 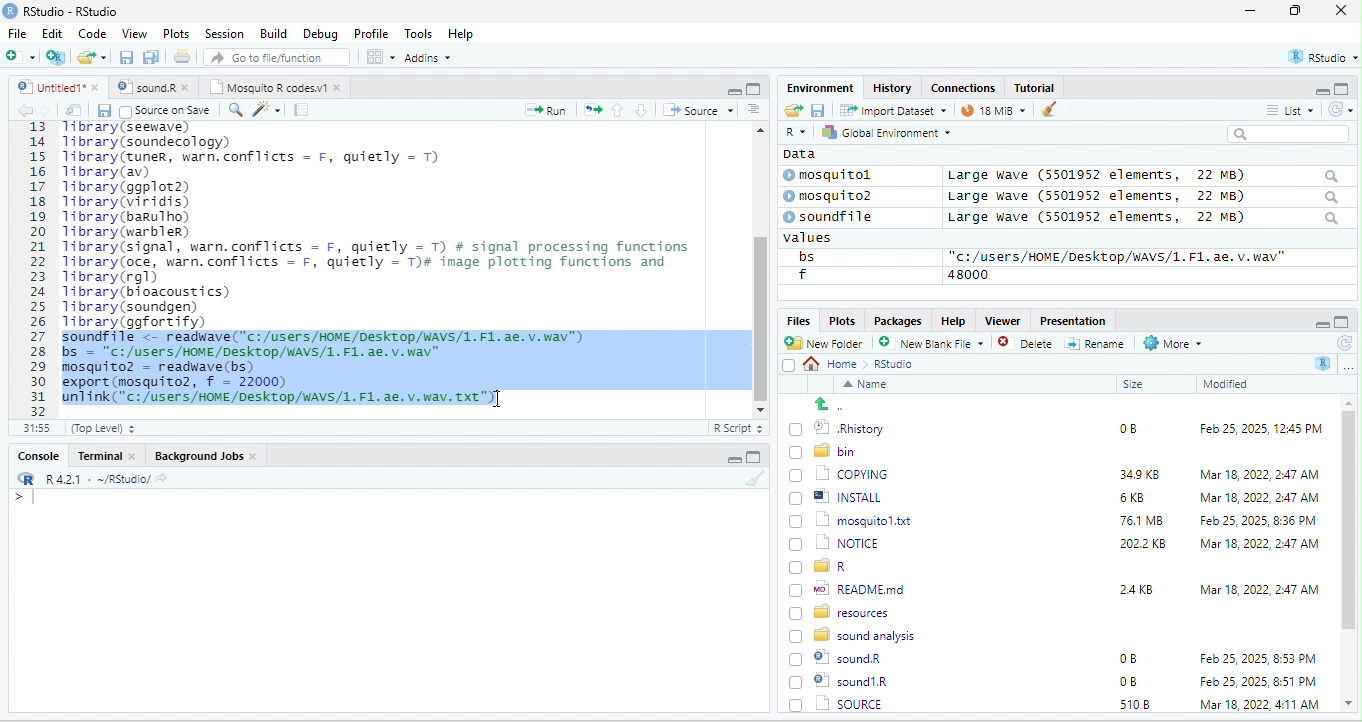 I want to click on close, so click(x=1341, y=12).